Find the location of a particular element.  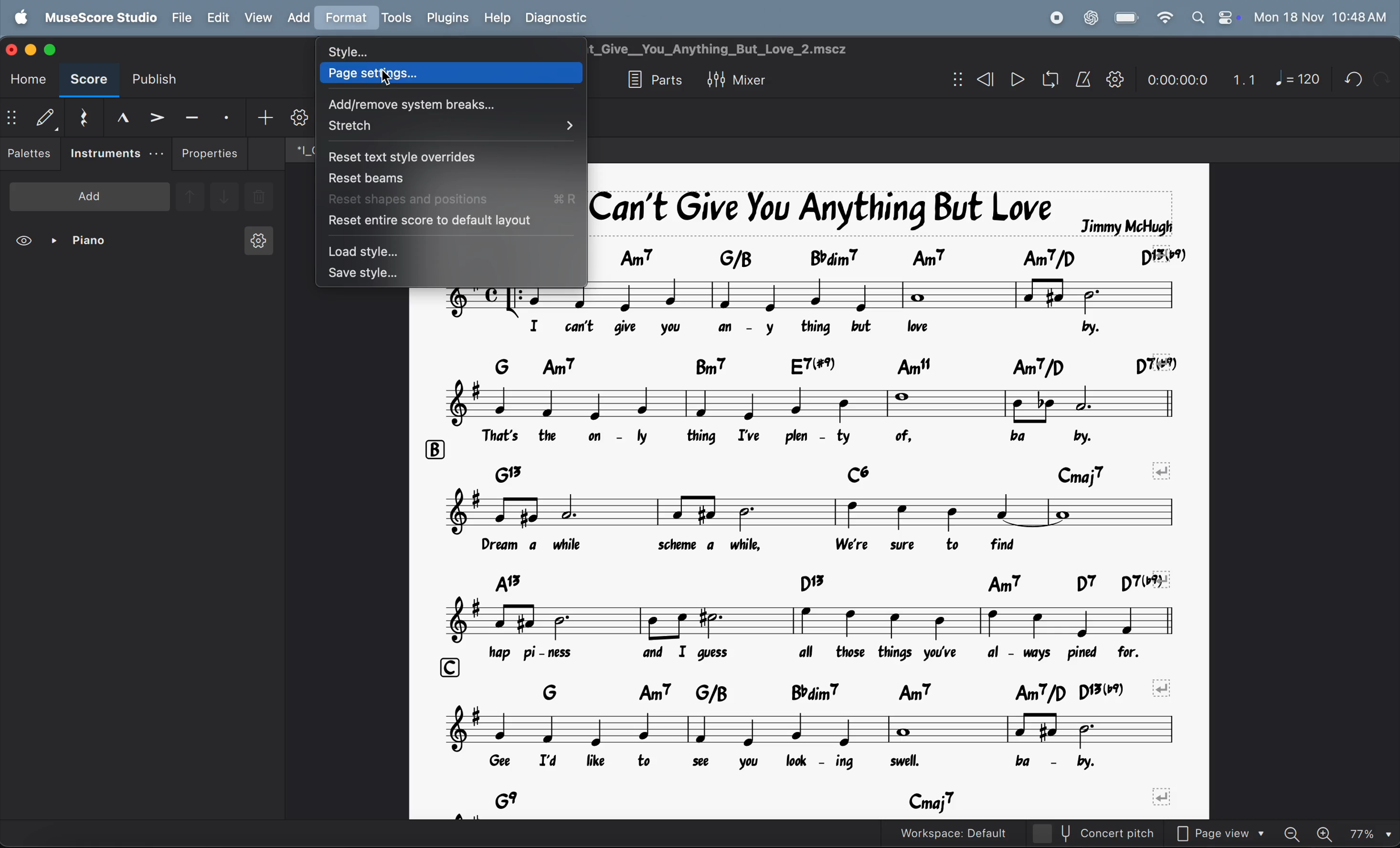

chord symbols is located at coordinates (824, 582).